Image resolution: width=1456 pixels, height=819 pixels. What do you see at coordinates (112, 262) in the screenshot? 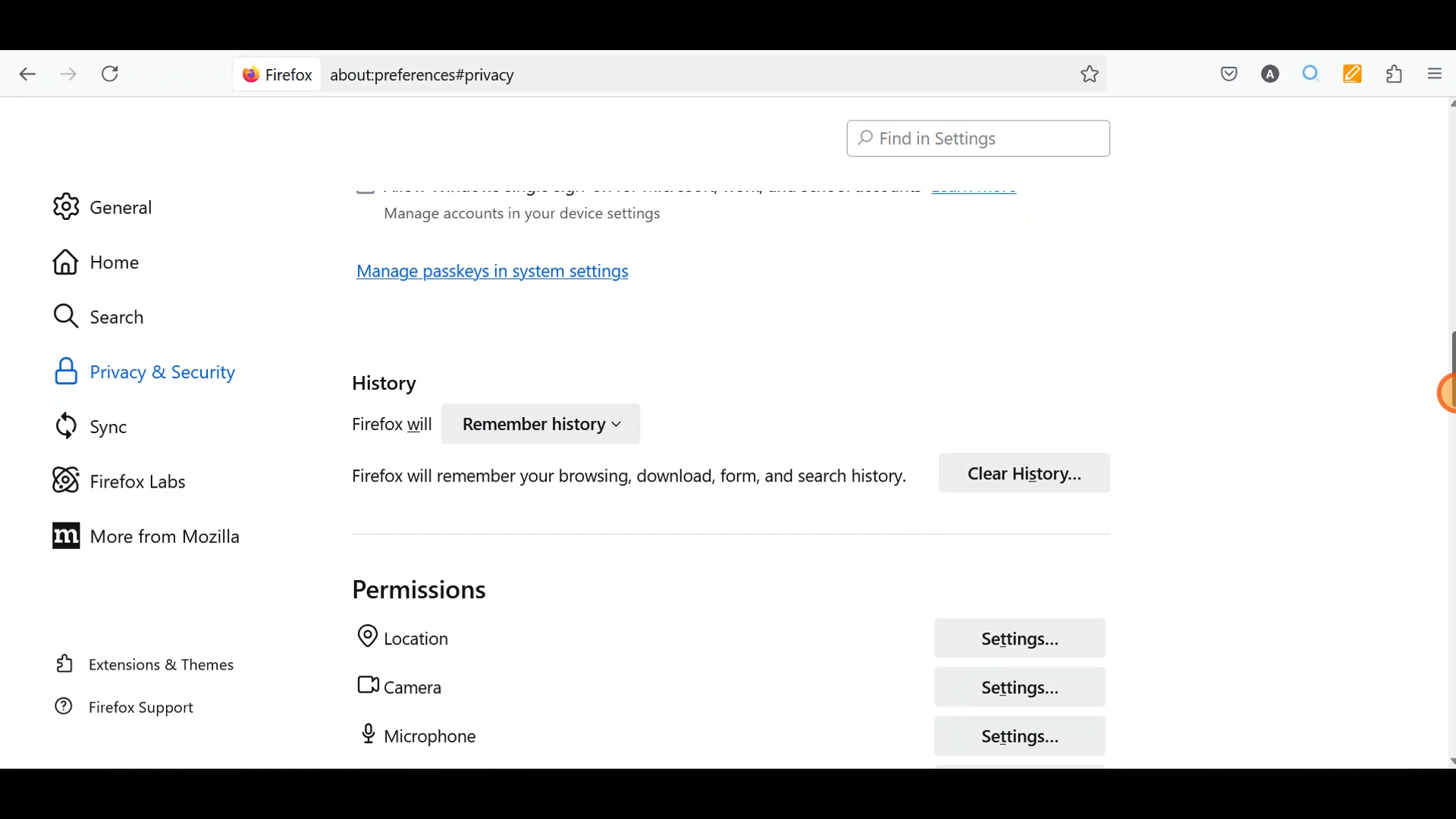
I see `Home` at bounding box center [112, 262].